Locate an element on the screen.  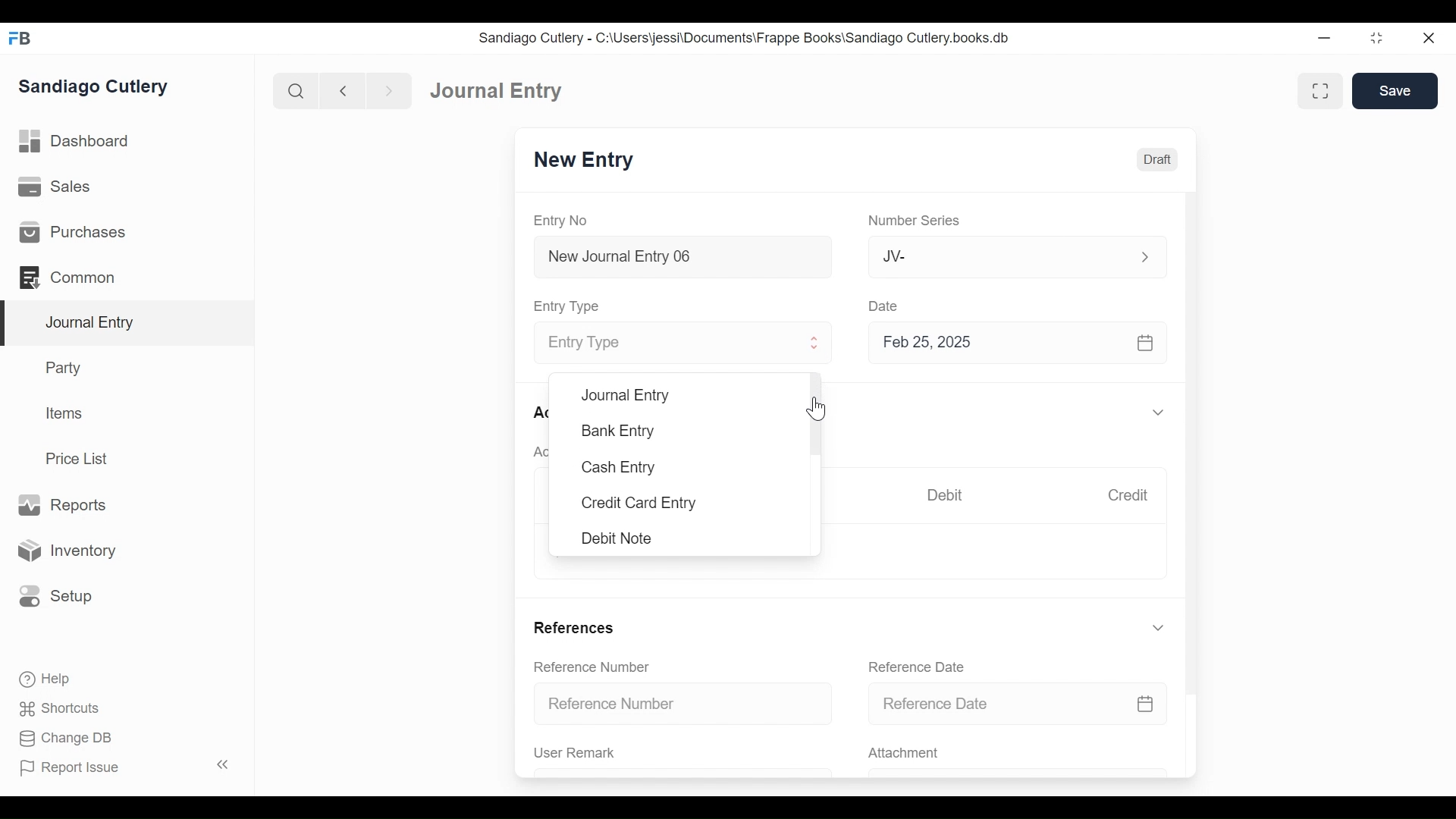
Toggle between form and full width is located at coordinates (1320, 91).